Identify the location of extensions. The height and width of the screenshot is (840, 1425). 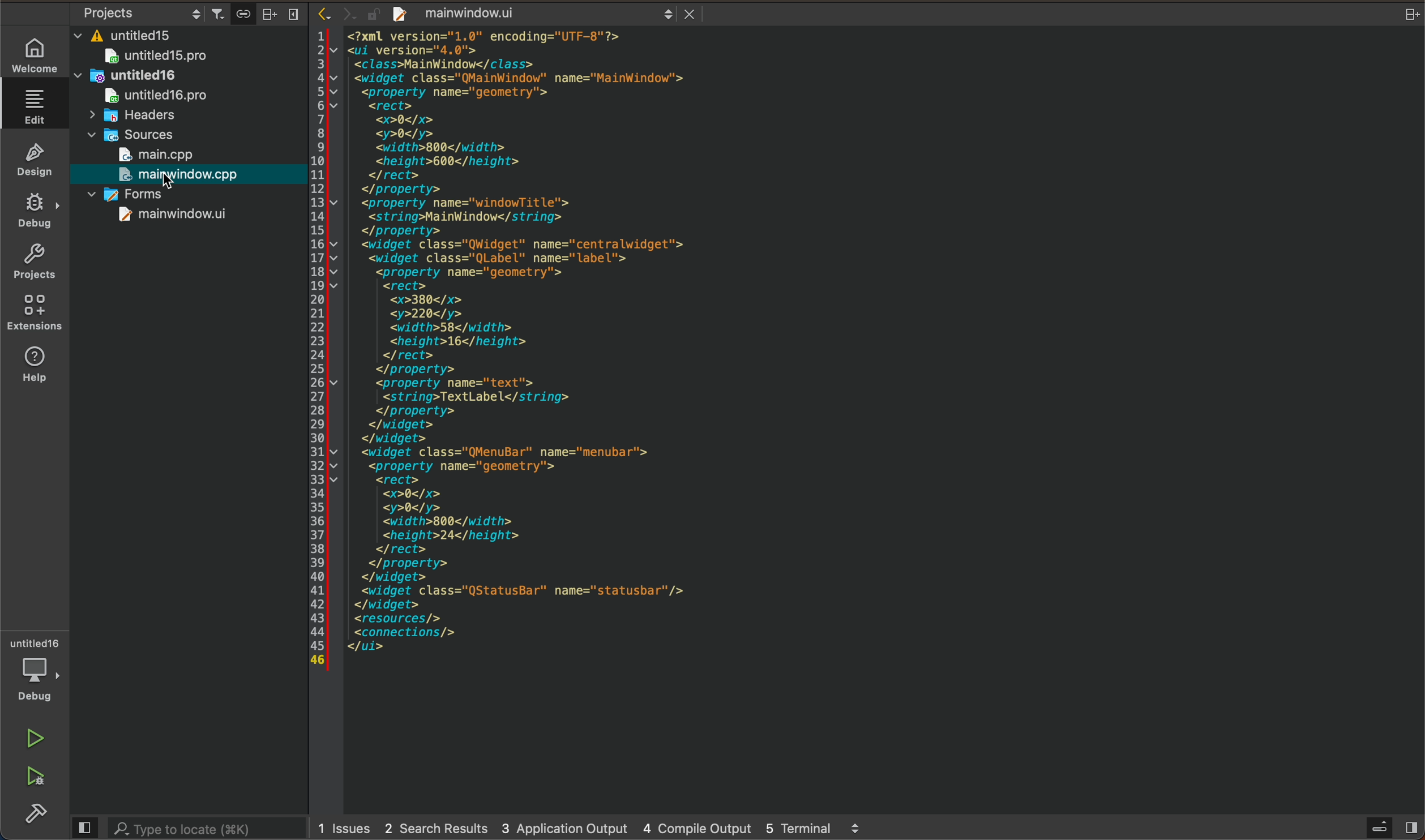
(34, 312).